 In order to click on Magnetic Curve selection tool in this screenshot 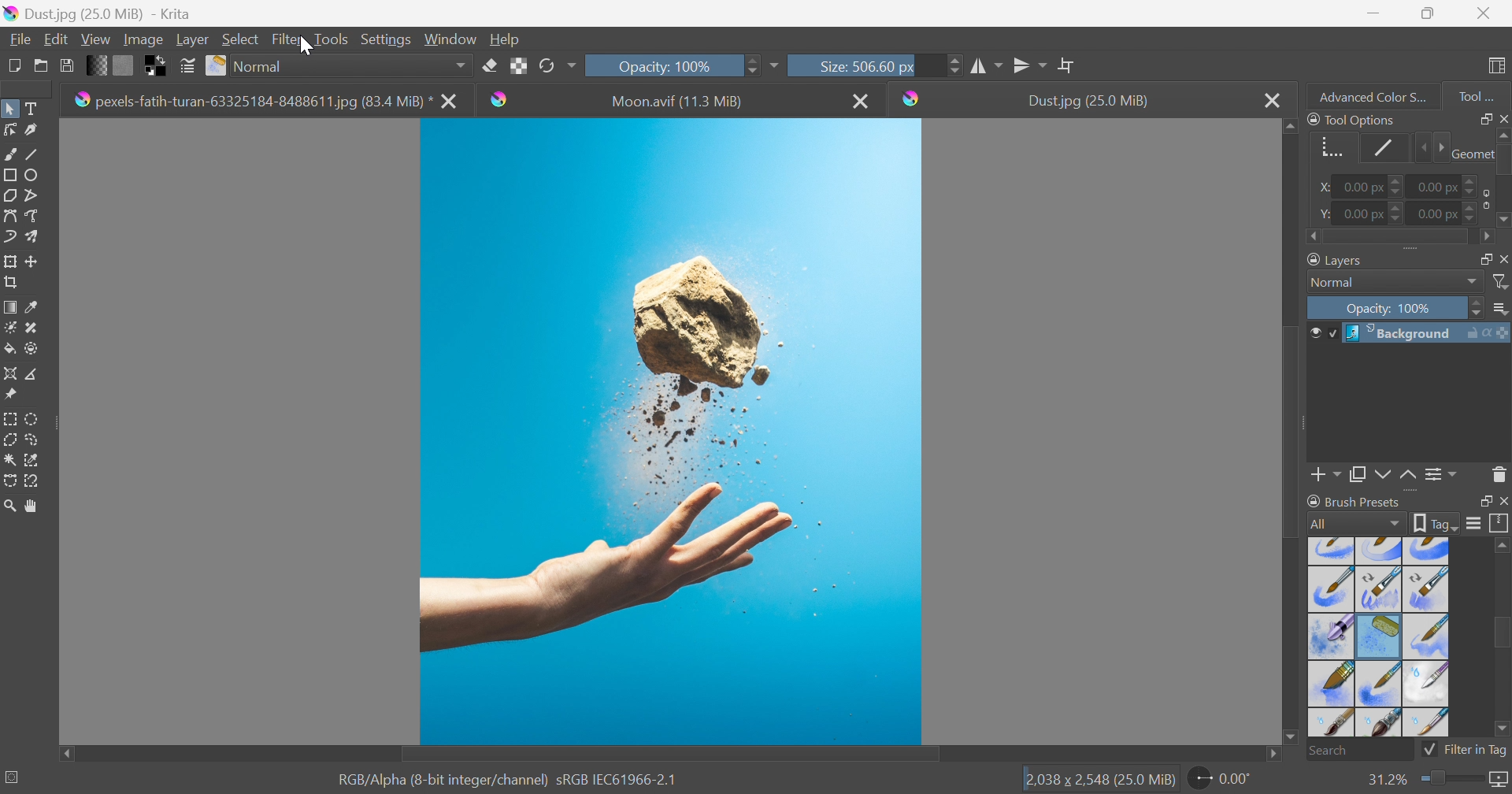, I will do `click(34, 480)`.